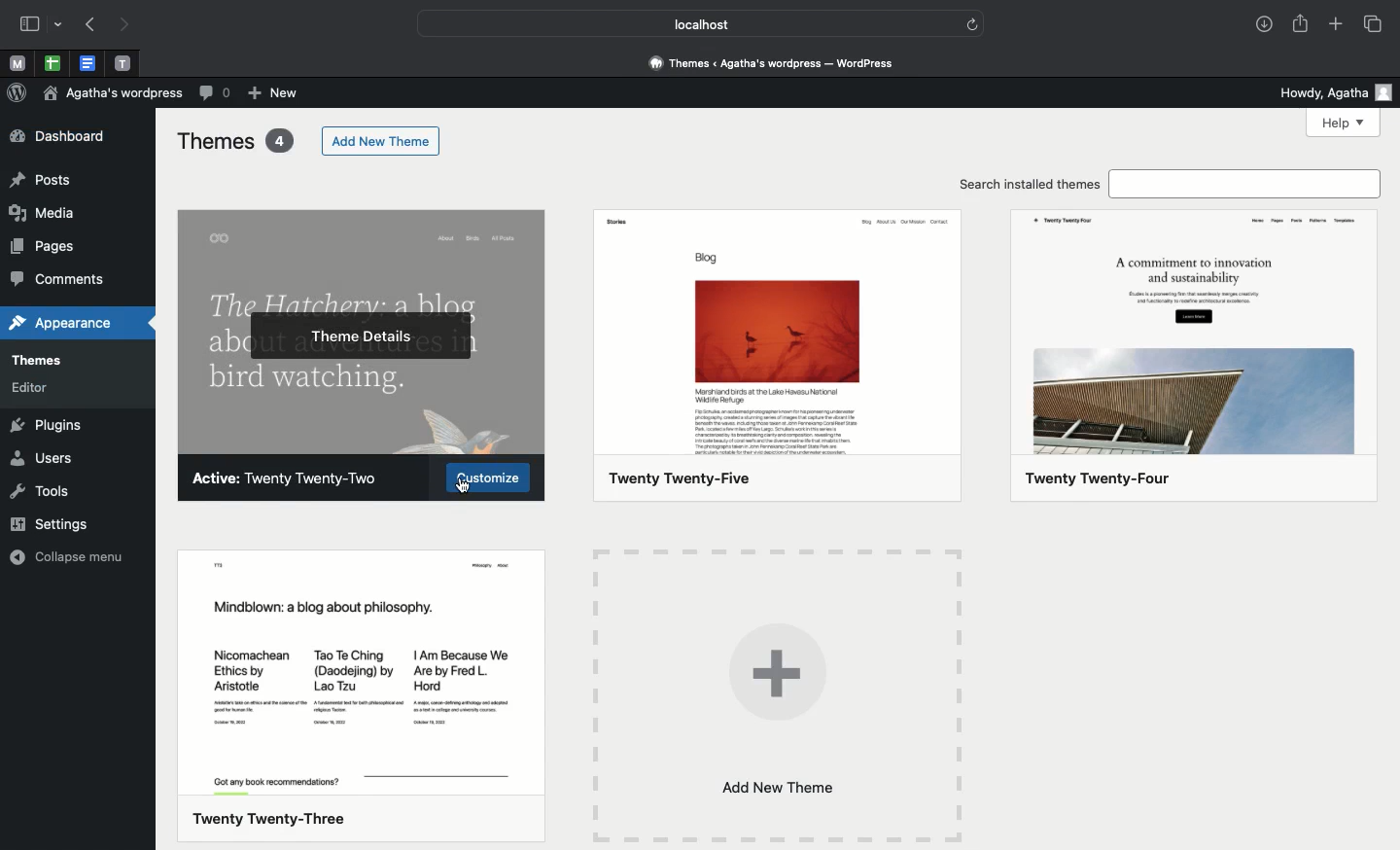 The width and height of the screenshot is (1400, 850). What do you see at coordinates (362, 331) in the screenshot?
I see `2022 theme` at bounding box center [362, 331].